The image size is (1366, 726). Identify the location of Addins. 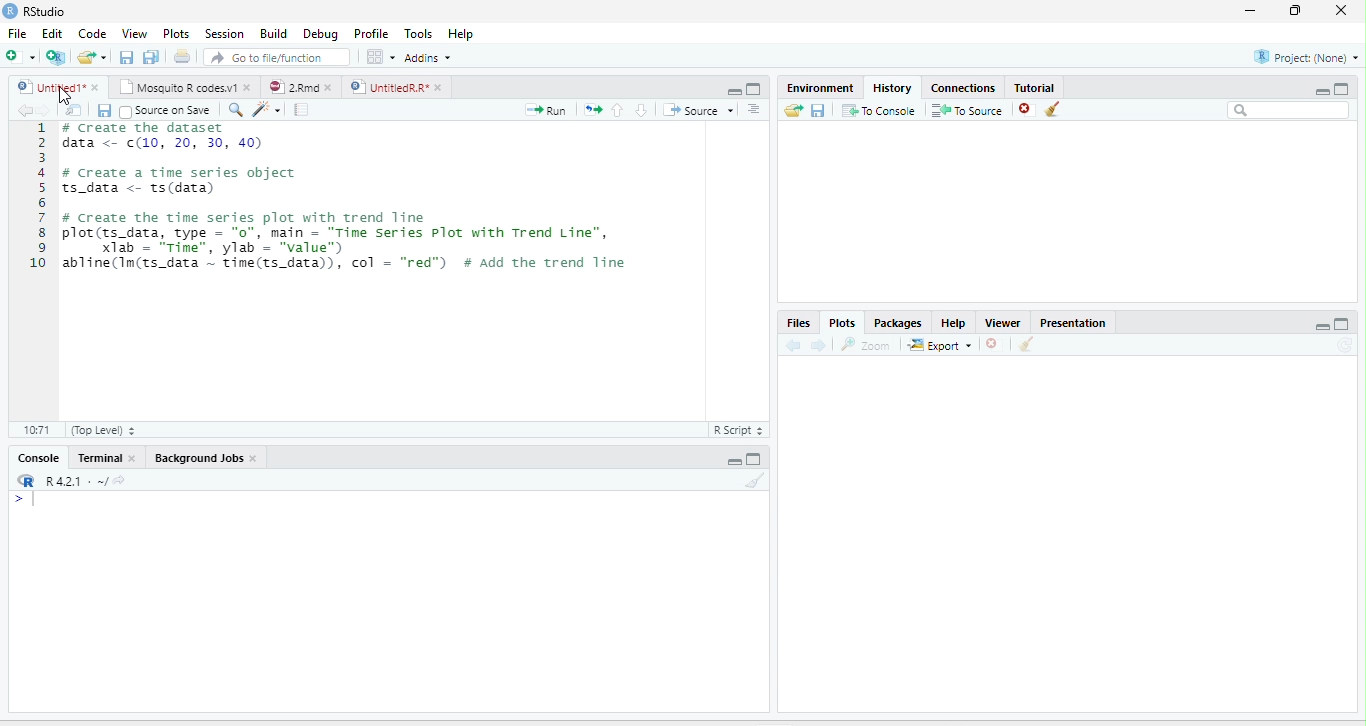
(428, 58).